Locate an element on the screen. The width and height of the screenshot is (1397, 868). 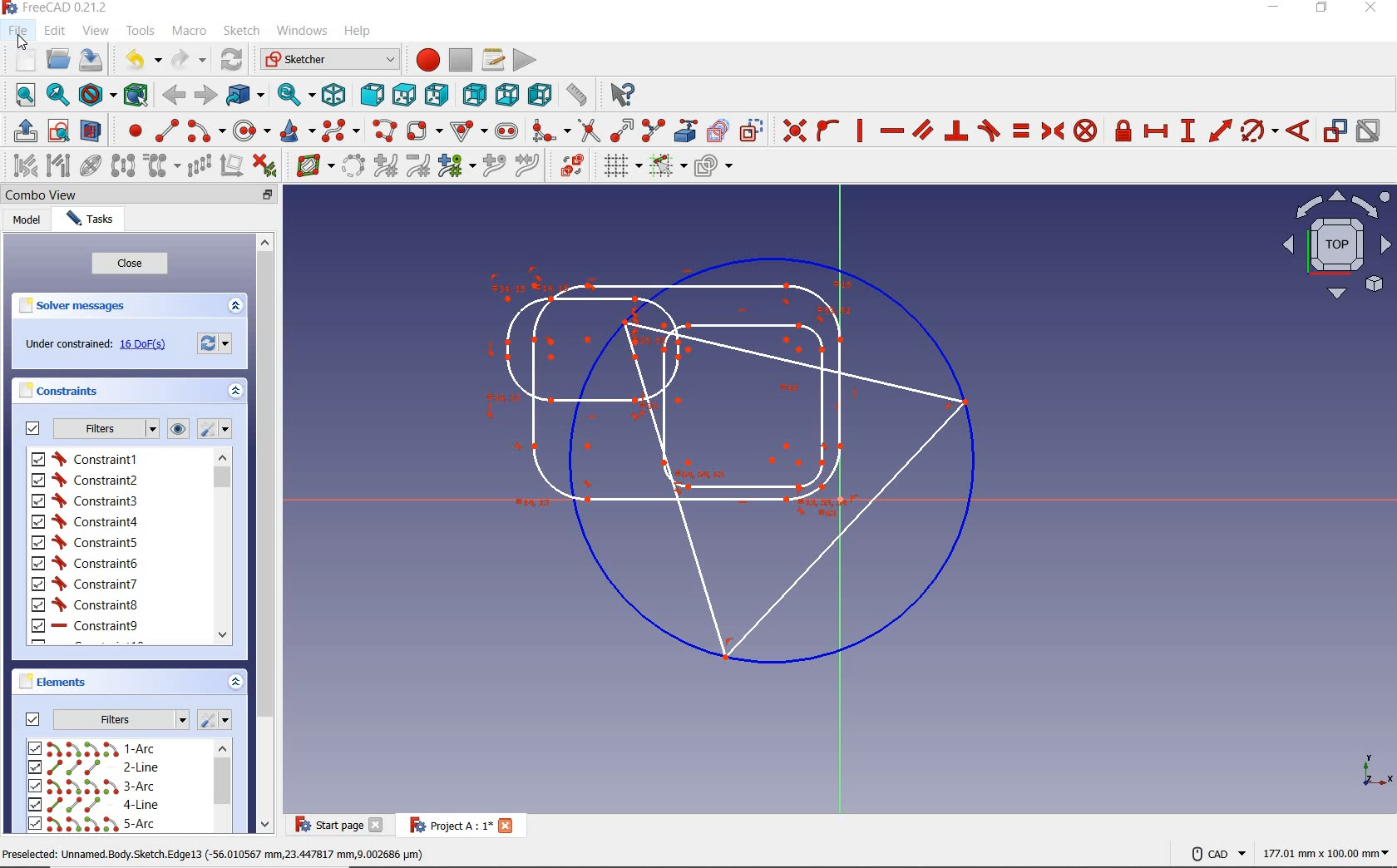
constrain arc or circle is located at coordinates (1258, 133).